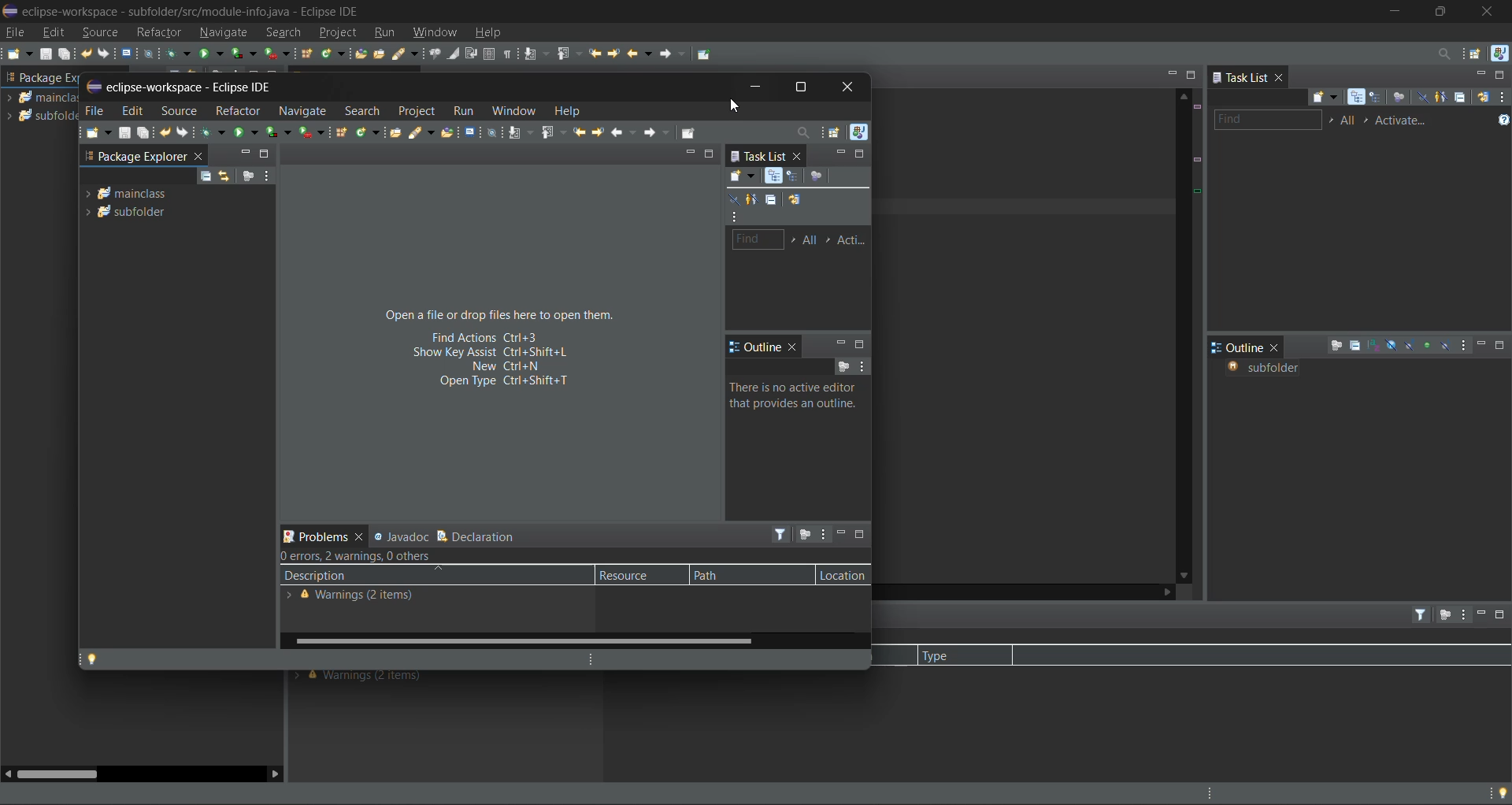  What do you see at coordinates (1462, 97) in the screenshot?
I see `collapse all` at bounding box center [1462, 97].